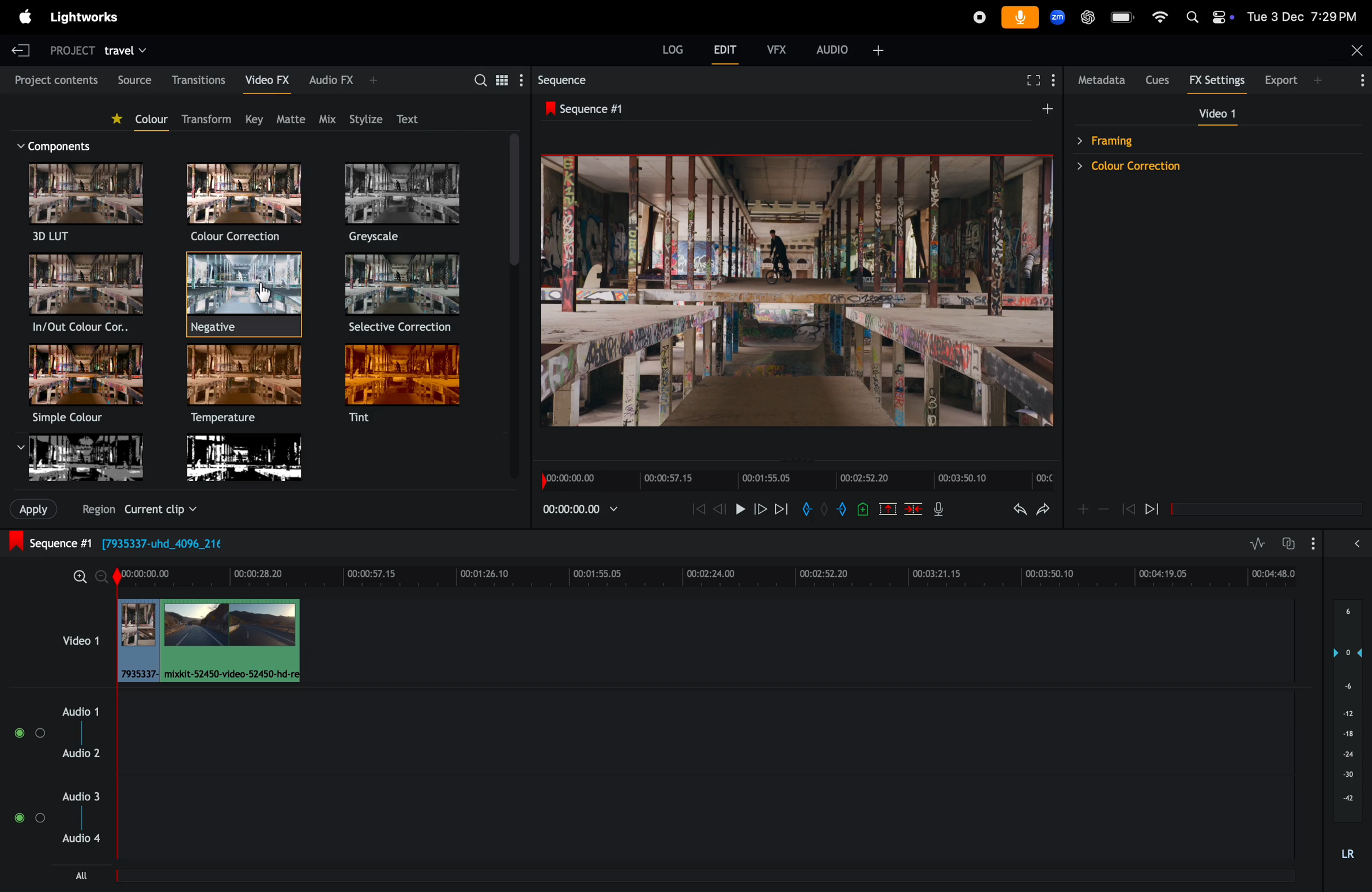  Describe the element at coordinates (78, 639) in the screenshot. I see `video 1` at that location.